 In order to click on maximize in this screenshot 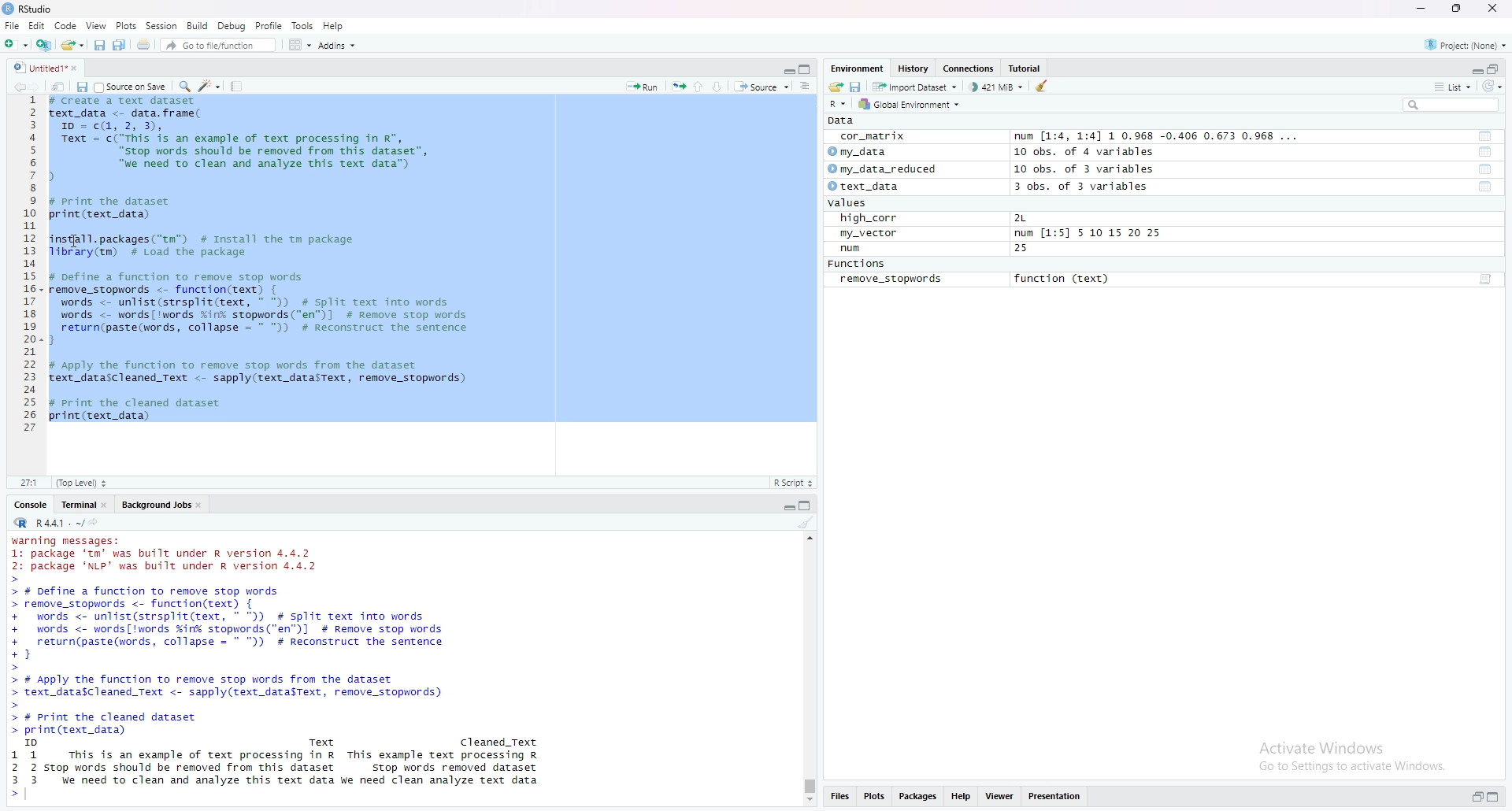, I will do `click(1454, 8)`.